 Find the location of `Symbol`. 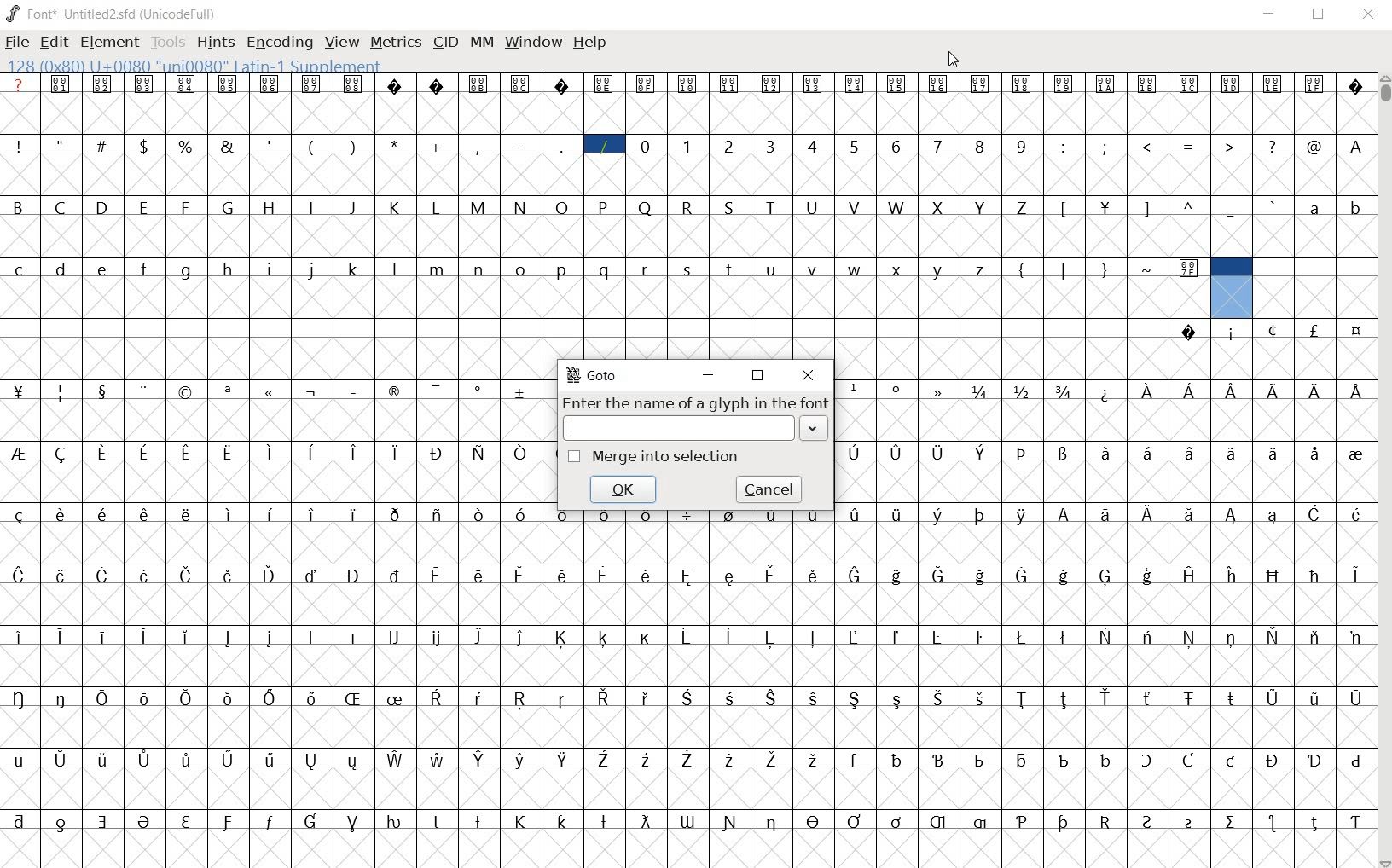

Symbol is located at coordinates (189, 635).